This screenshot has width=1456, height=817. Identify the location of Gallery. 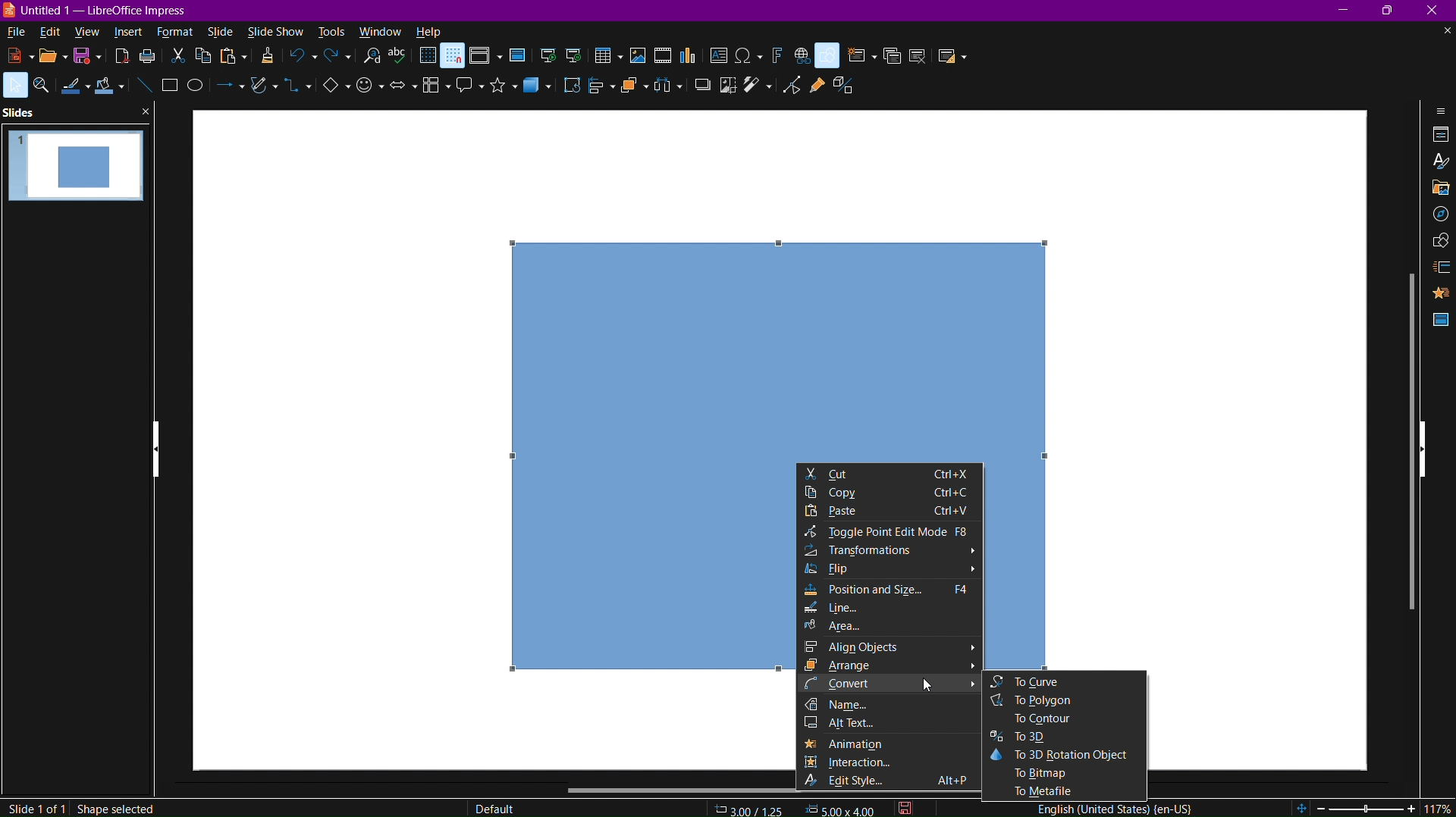
(1435, 189).